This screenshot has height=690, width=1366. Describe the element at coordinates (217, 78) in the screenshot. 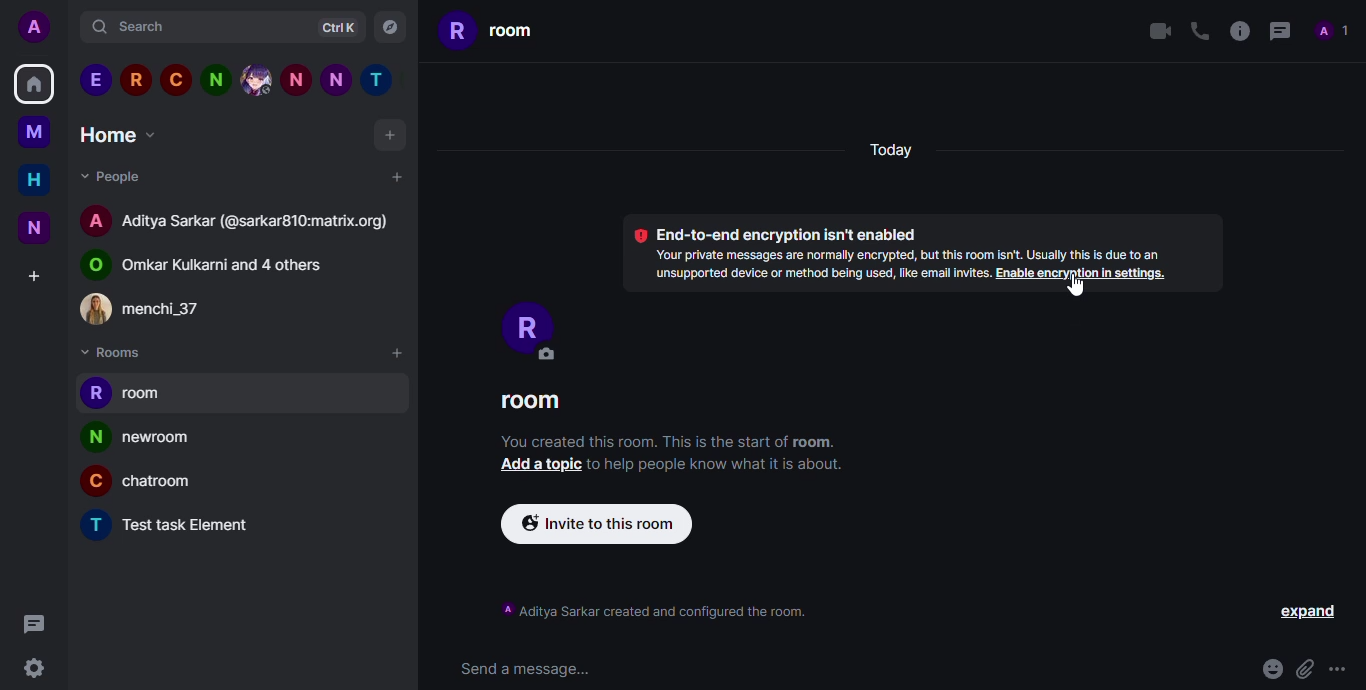

I see `Contact shortcut` at that location.